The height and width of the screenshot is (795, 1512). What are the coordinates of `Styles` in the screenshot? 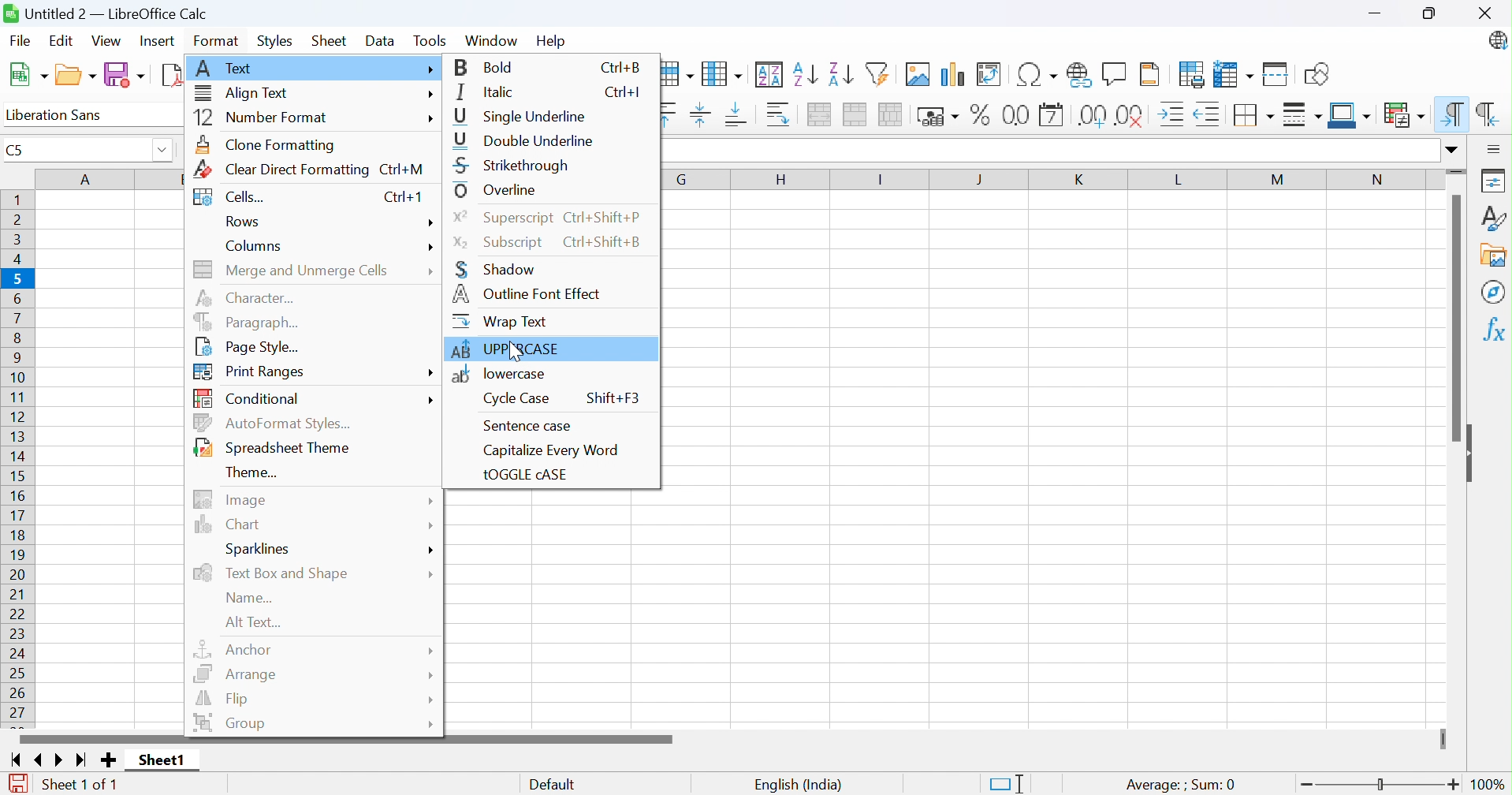 It's located at (1494, 218).